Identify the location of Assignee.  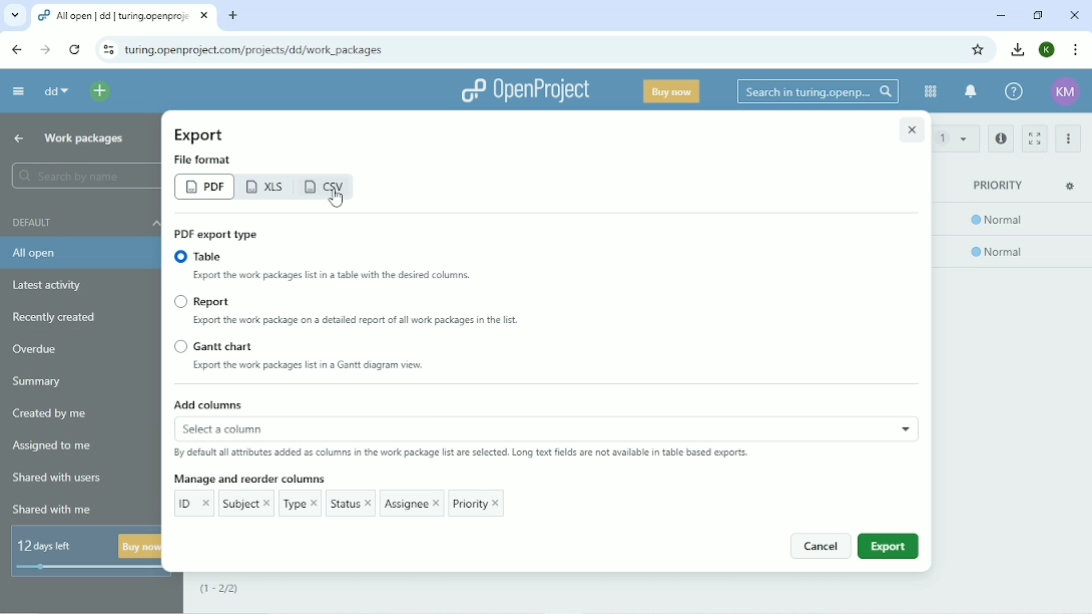
(412, 503).